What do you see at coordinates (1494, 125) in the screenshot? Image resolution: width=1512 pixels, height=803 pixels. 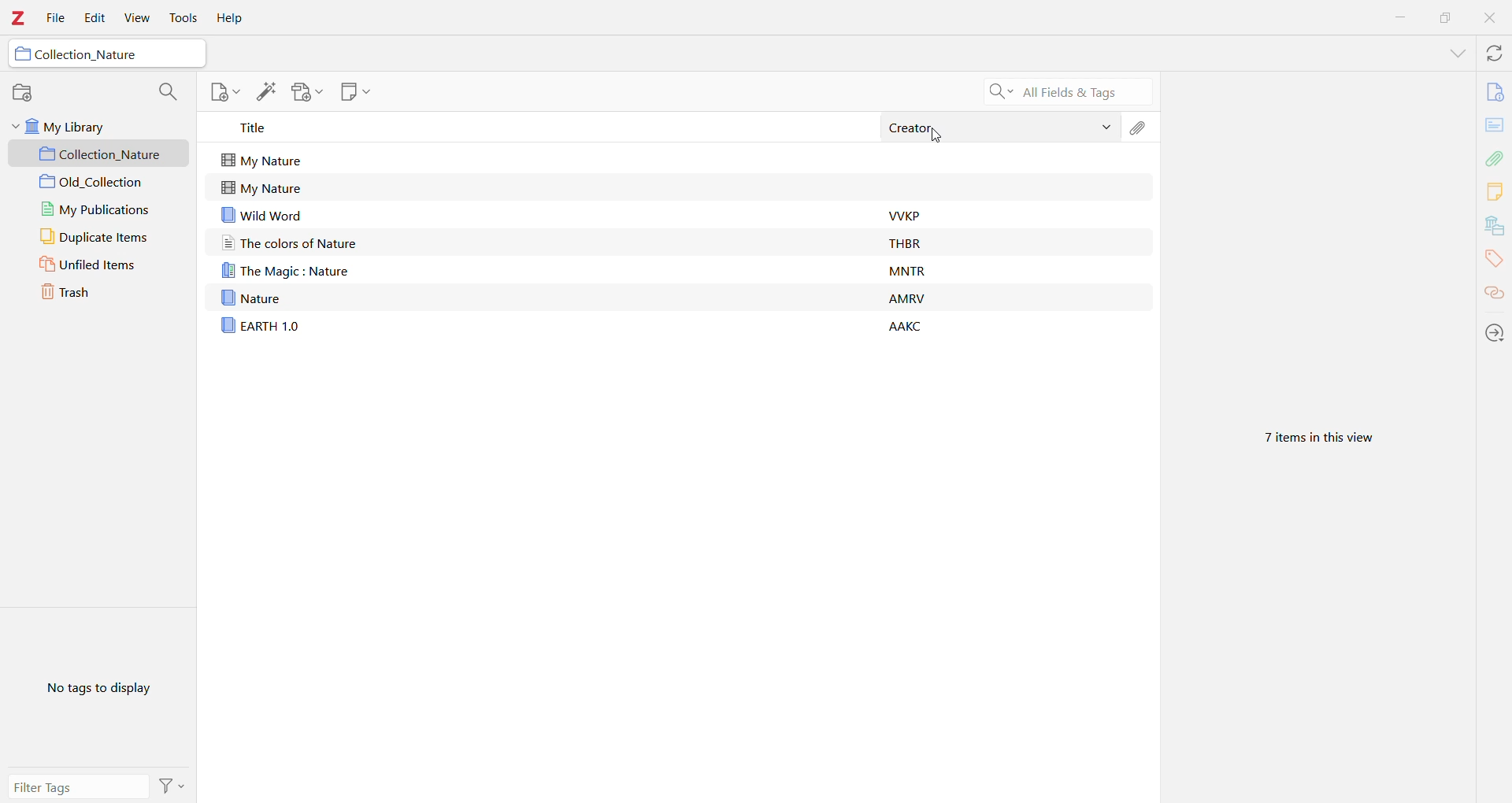 I see `Abstract` at bounding box center [1494, 125].